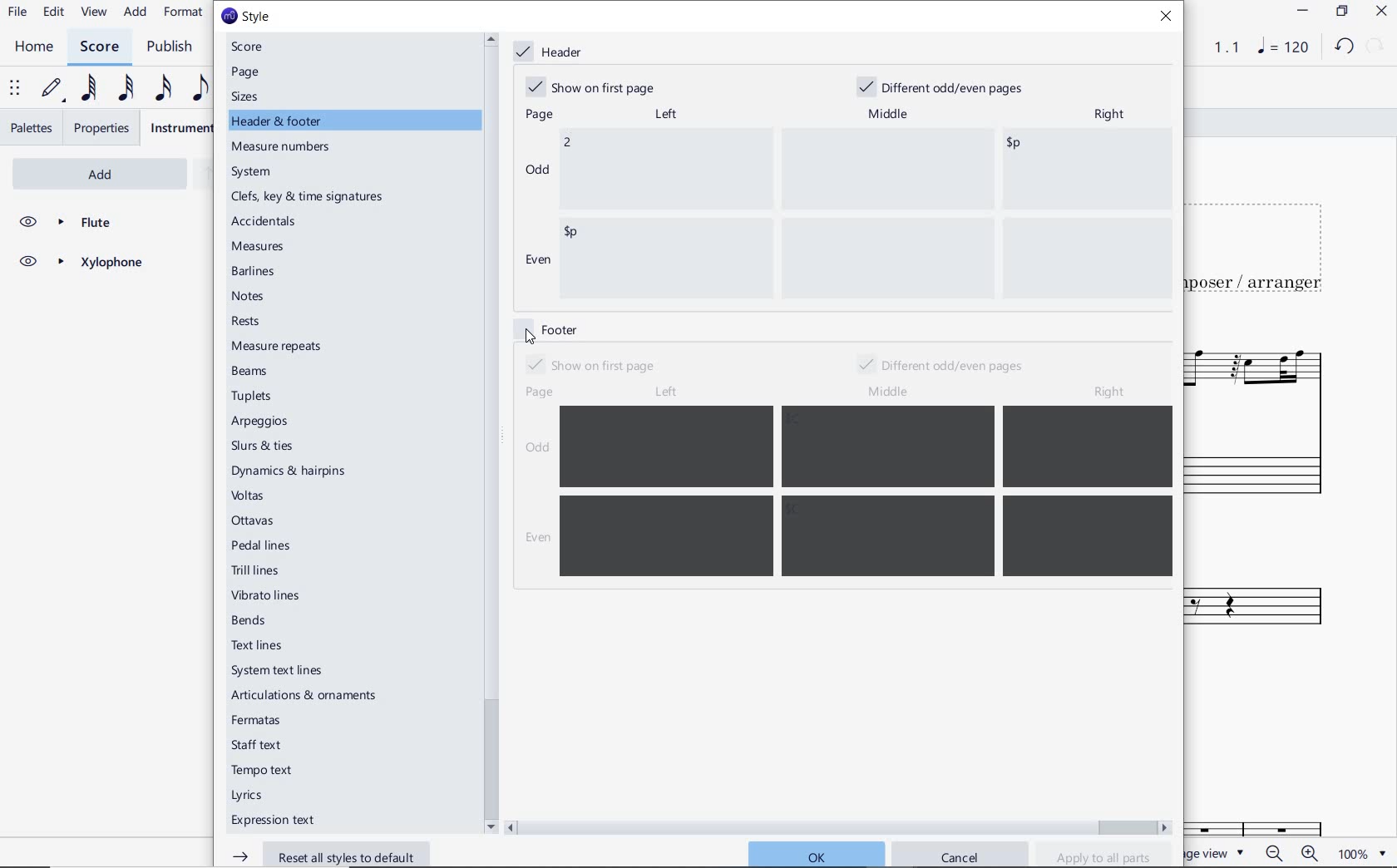  What do you see at coordinates (839, 826) in the screenshot?
I see `scrollbar` at bounding box center [839, 826].